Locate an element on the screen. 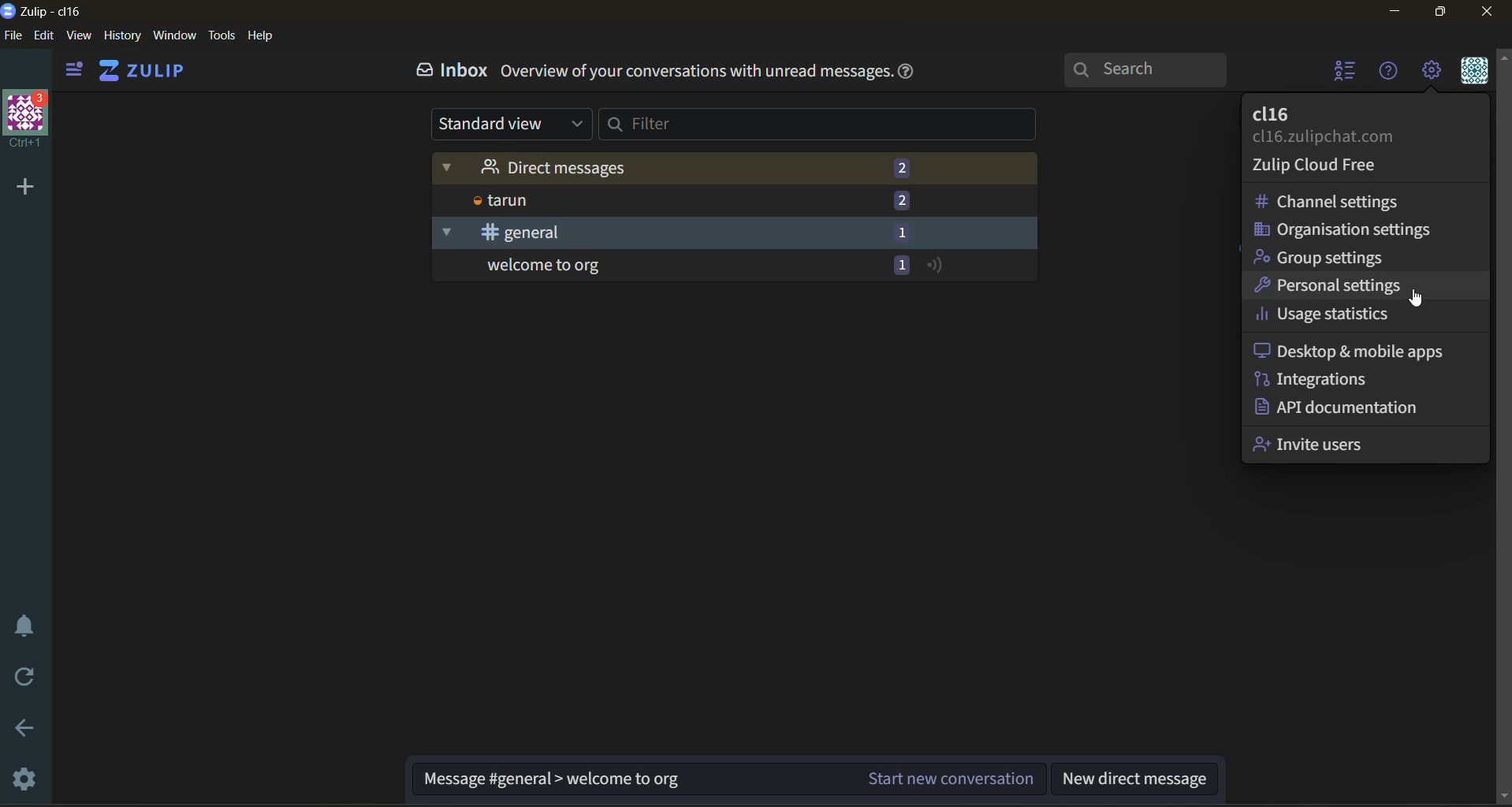  search is located at coordinates (1146, 70).